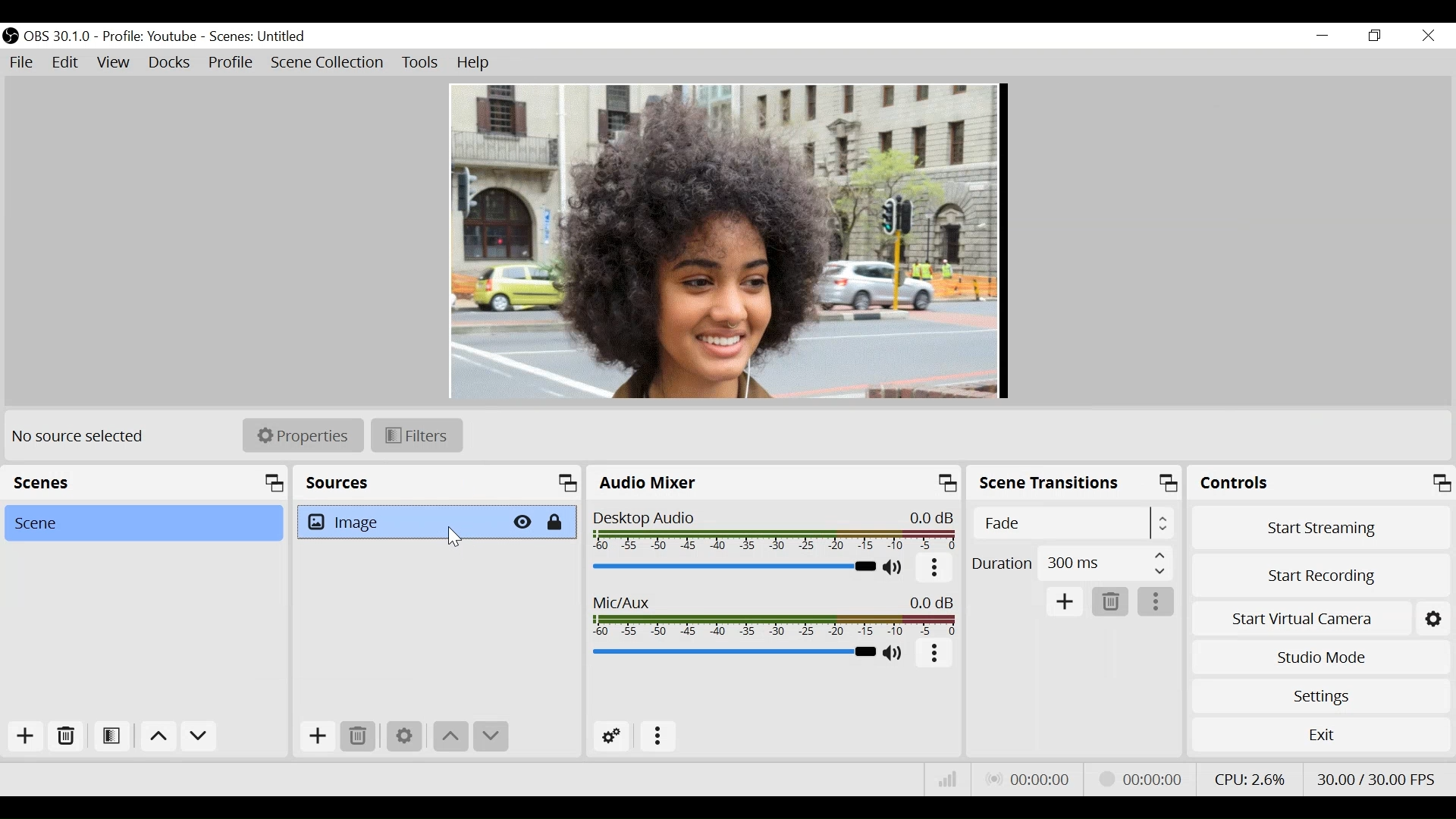 Image resolution: width=1456 pixels, height=819 pixels. What do you see at coordinates (149, 37) in the screenshot?
I see `Profile: Youtube` at bounding box center [149, 37].